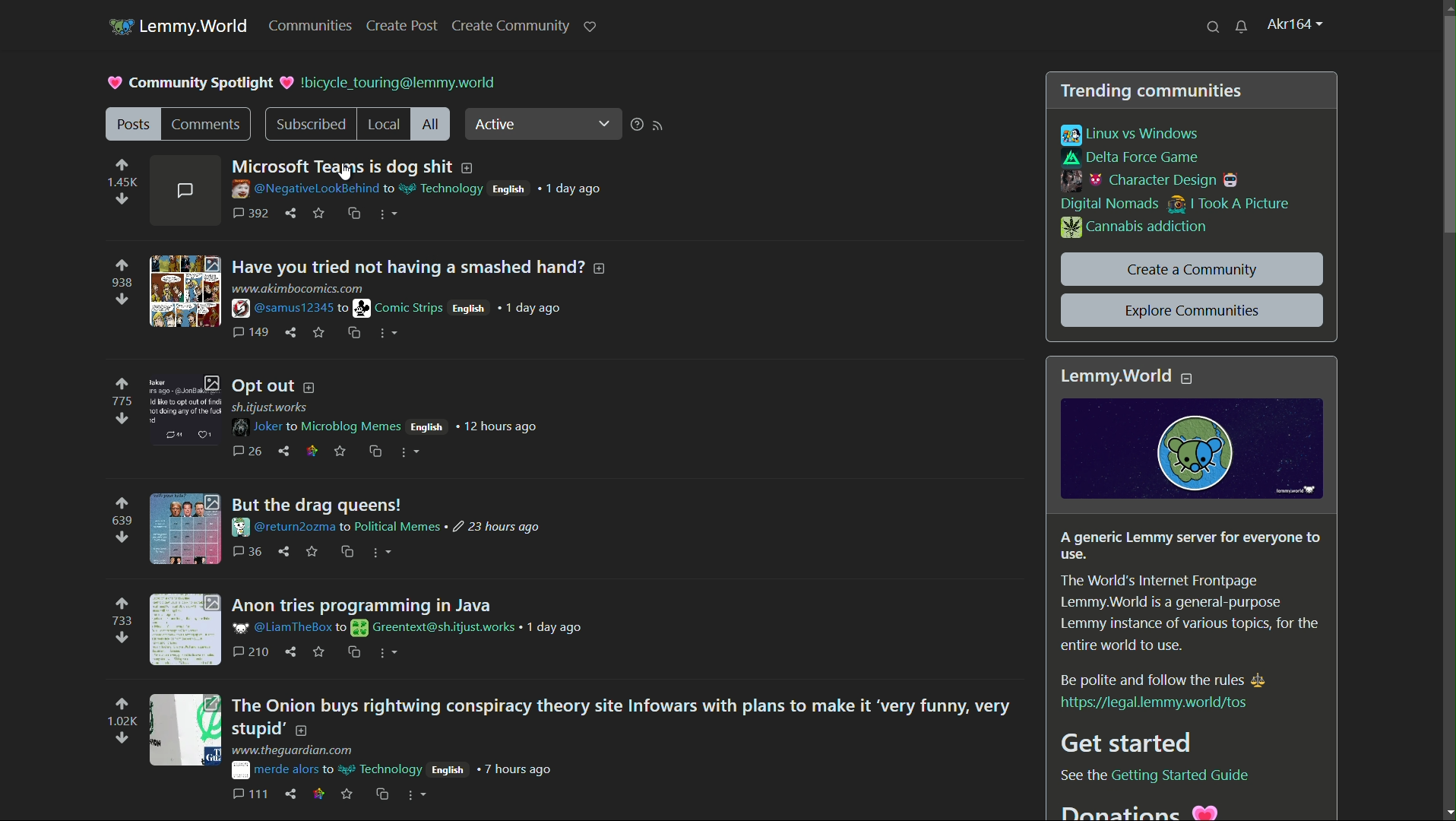 This screenshot has width=1456, height=821. Describe the element at coordinates (315, 26) in the screenshot. I see `communities` at that location.